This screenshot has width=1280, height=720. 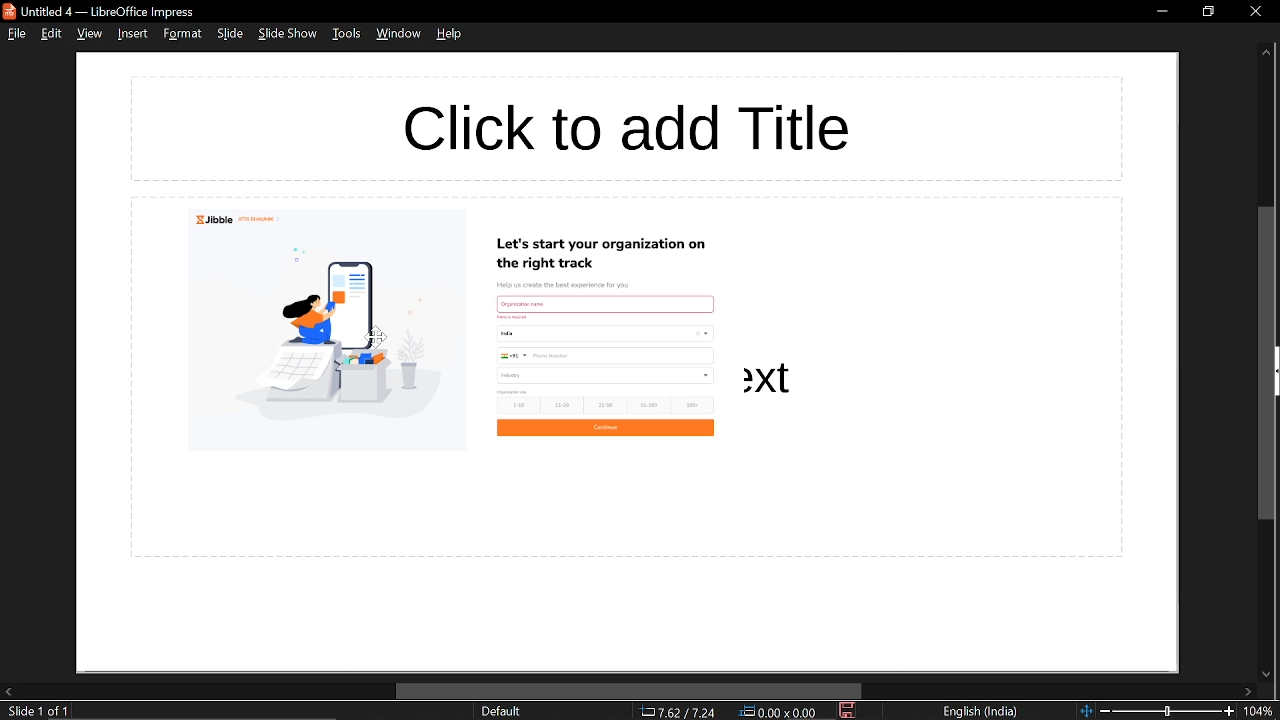 What do you see at coordinates (401, 34) in the screenshot?
I see `window` at bounding box center [401, 34].